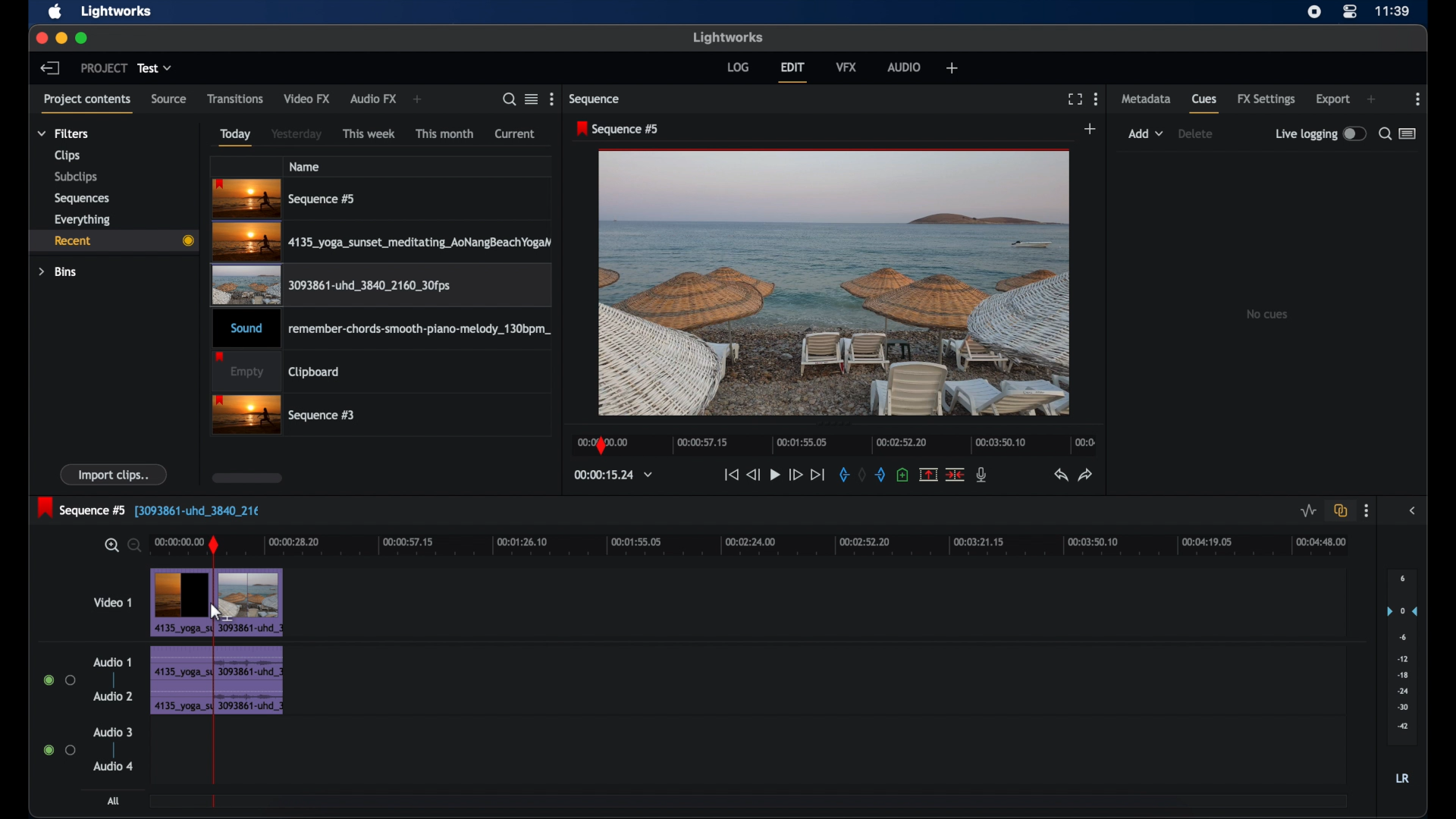  I want to click on add, so click(1146, 133).